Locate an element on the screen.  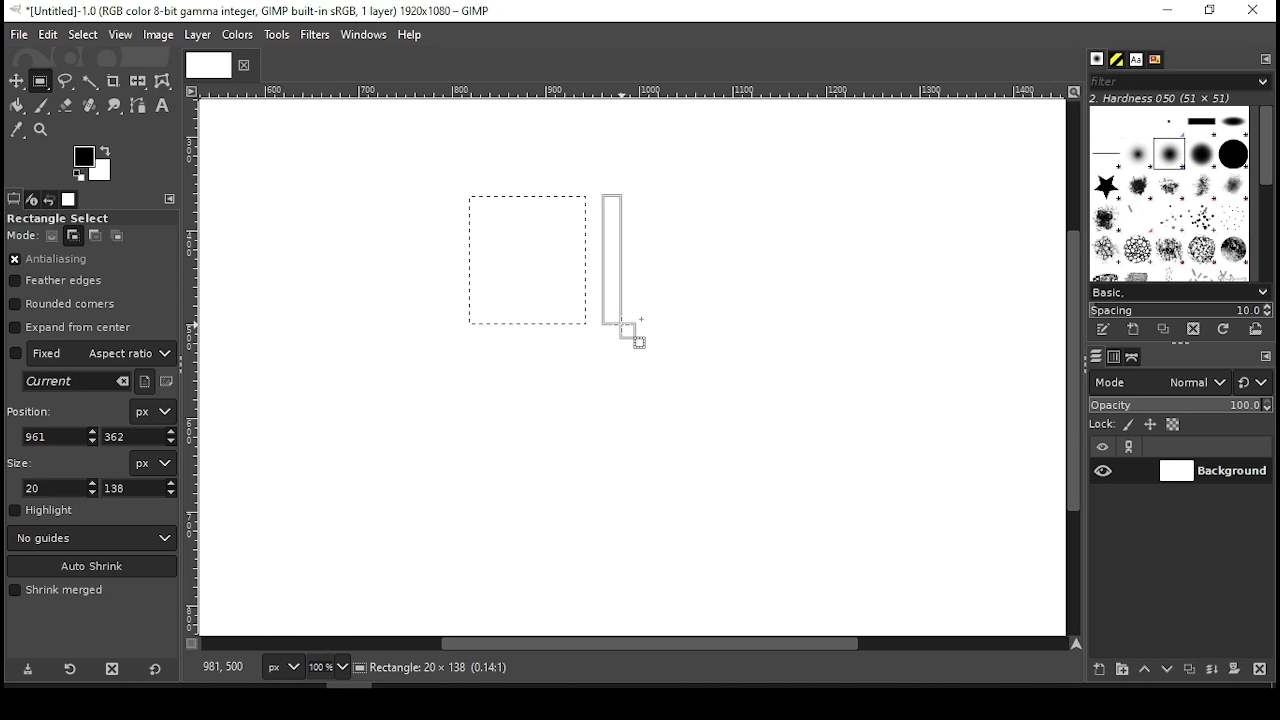
zoom tool is located at coordinates (42, 131).